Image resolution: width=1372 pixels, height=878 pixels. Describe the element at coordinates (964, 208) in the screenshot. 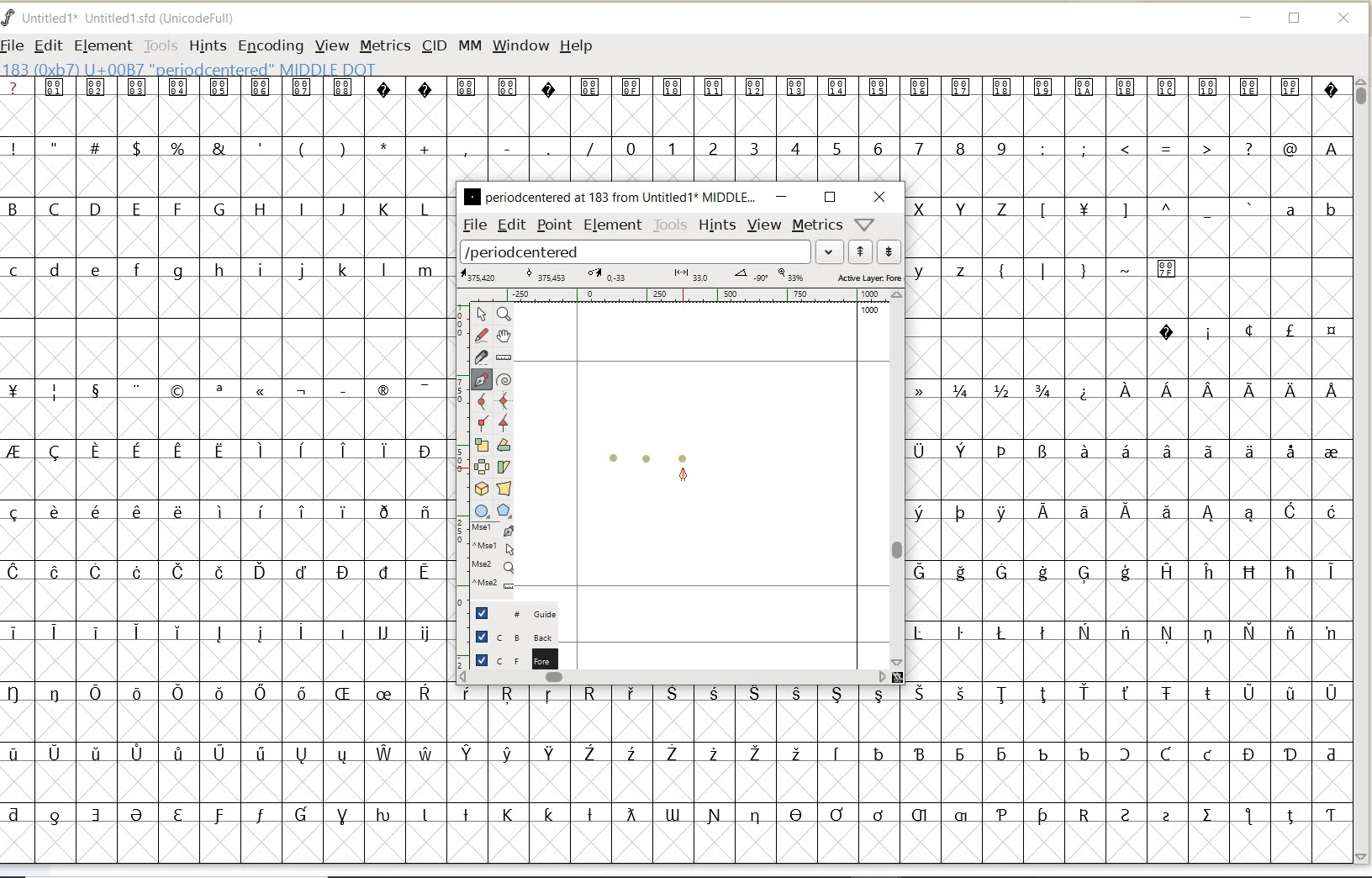

I see `uppercase letters` at that location.